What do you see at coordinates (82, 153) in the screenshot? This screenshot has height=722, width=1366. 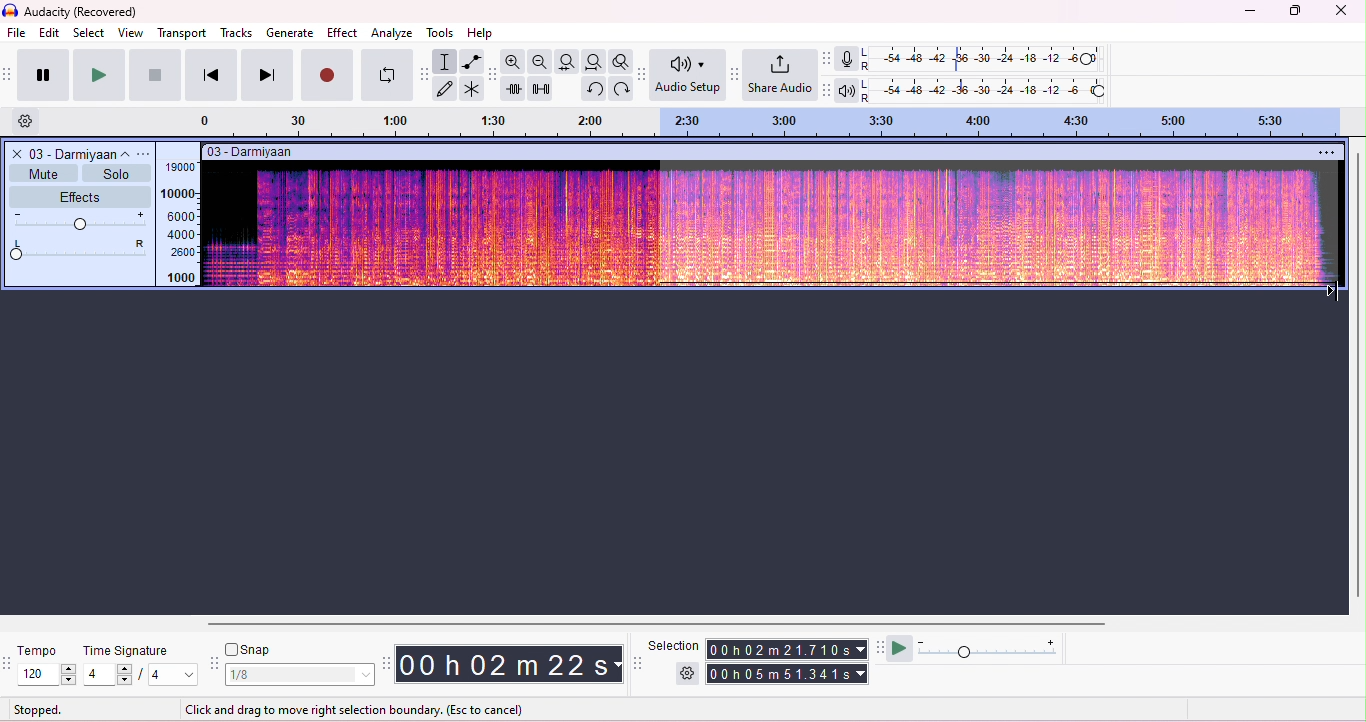 I see `track name` at bounding box center [82, 153].